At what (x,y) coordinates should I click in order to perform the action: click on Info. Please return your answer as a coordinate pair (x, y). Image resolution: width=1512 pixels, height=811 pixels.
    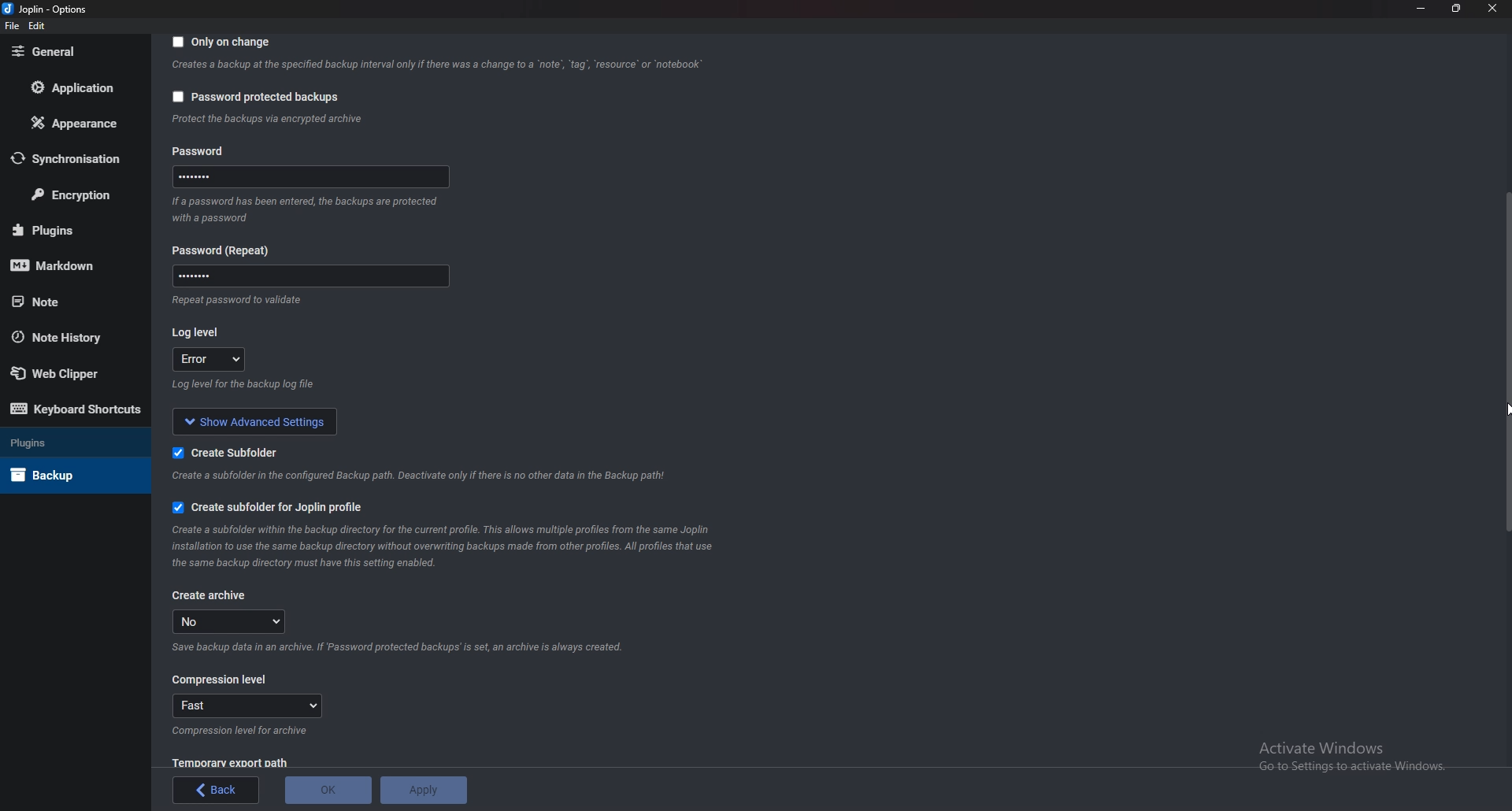
    Looking at the image, I should click on (242, 731).